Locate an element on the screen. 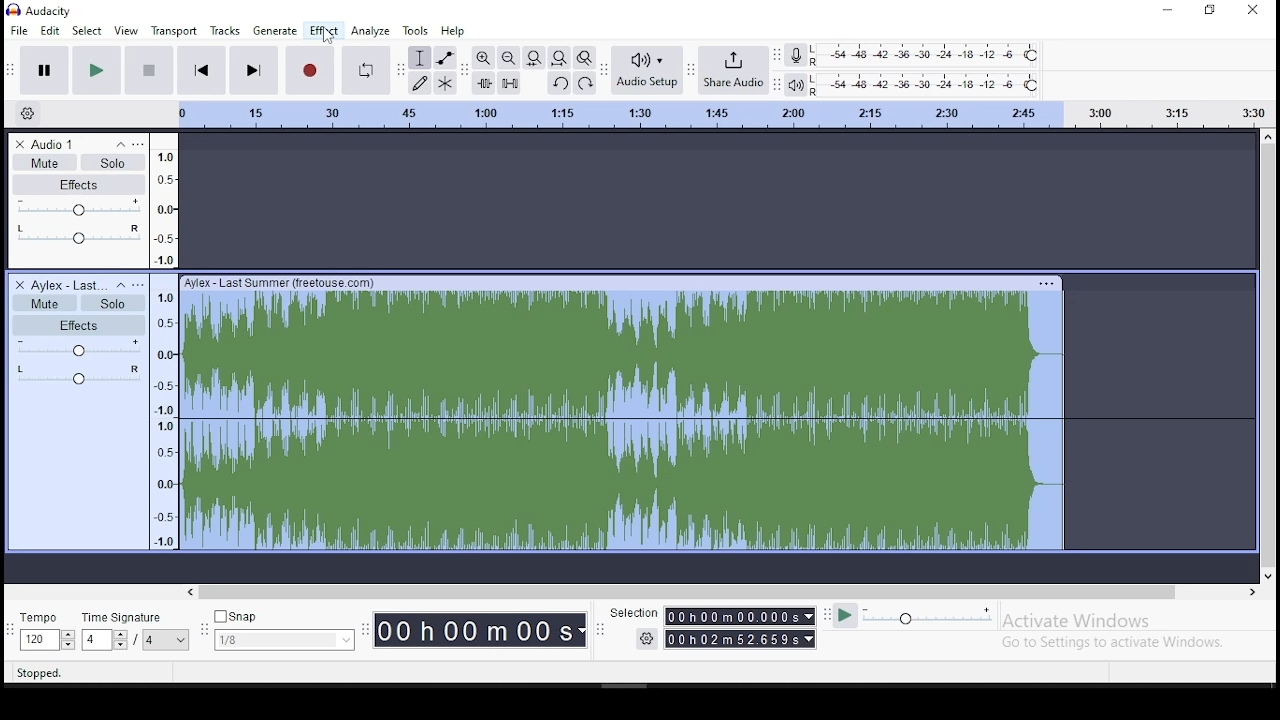 The width and height of the screenshot is (1280, 720). transport is located at coordinates (174, 31).